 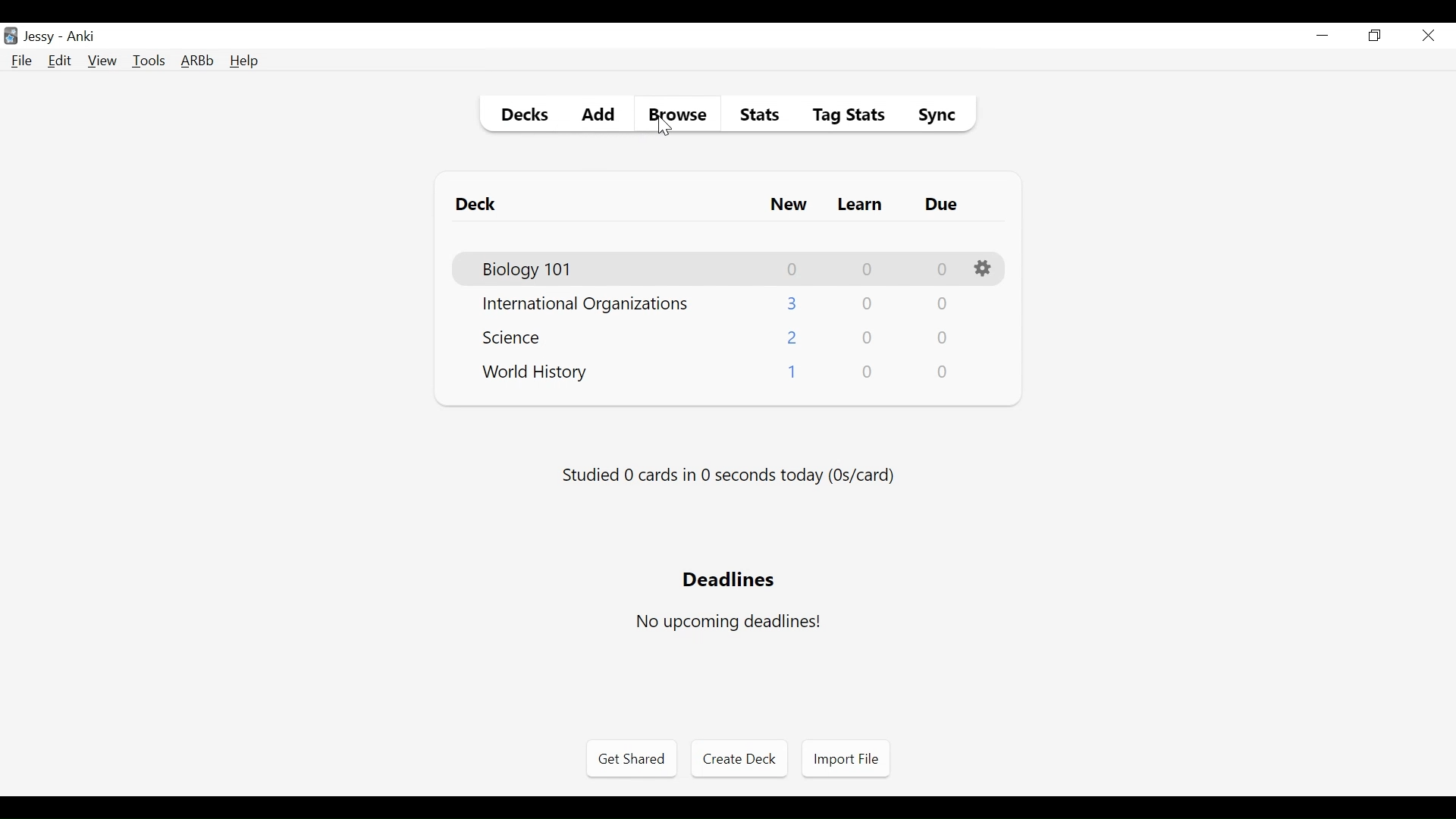 I want to click on Due Card Count, so click(x=944, y=372).